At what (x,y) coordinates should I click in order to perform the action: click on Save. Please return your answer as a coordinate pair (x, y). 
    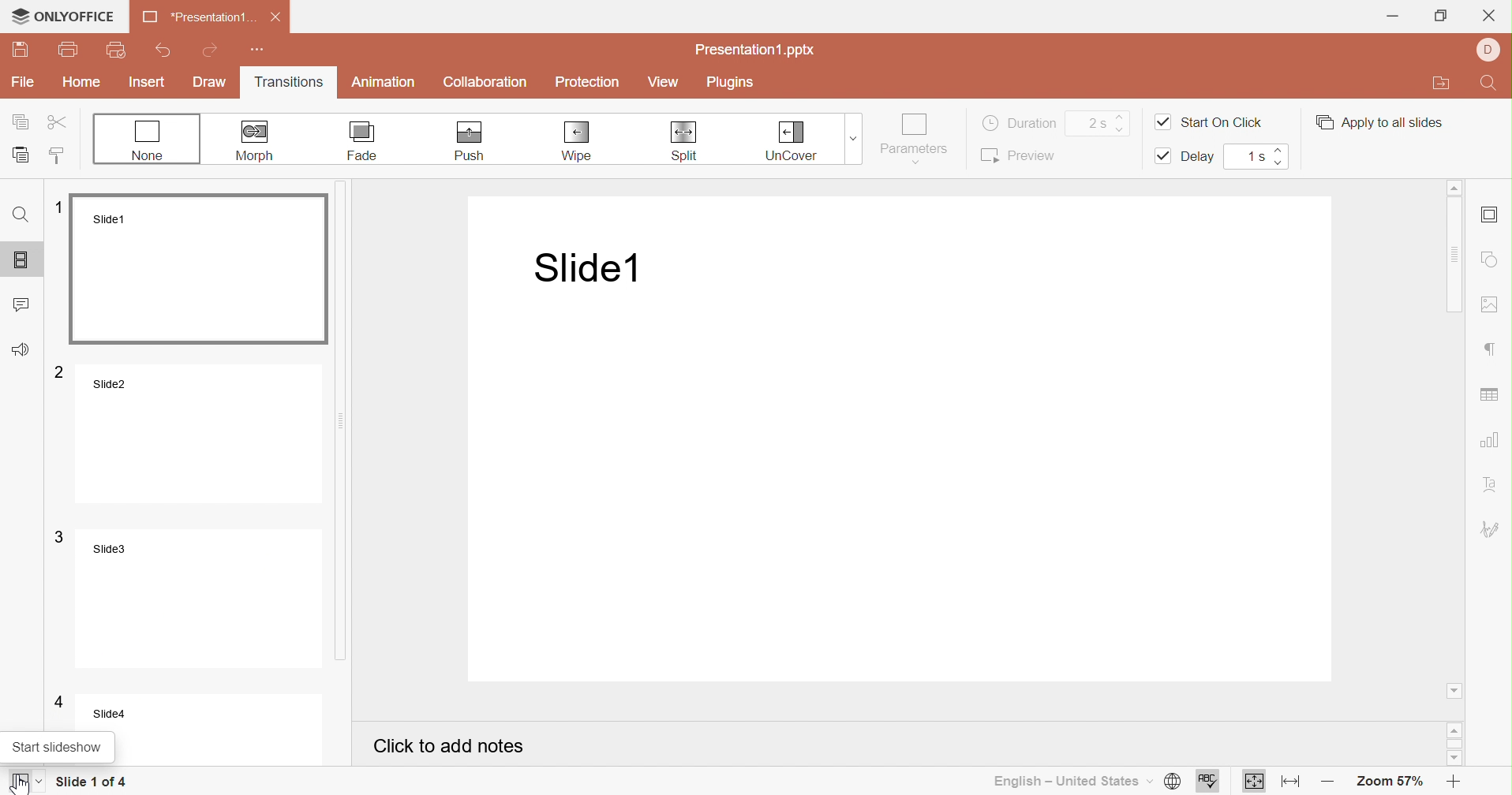
    Looking at the image, I should click on (19, 51).